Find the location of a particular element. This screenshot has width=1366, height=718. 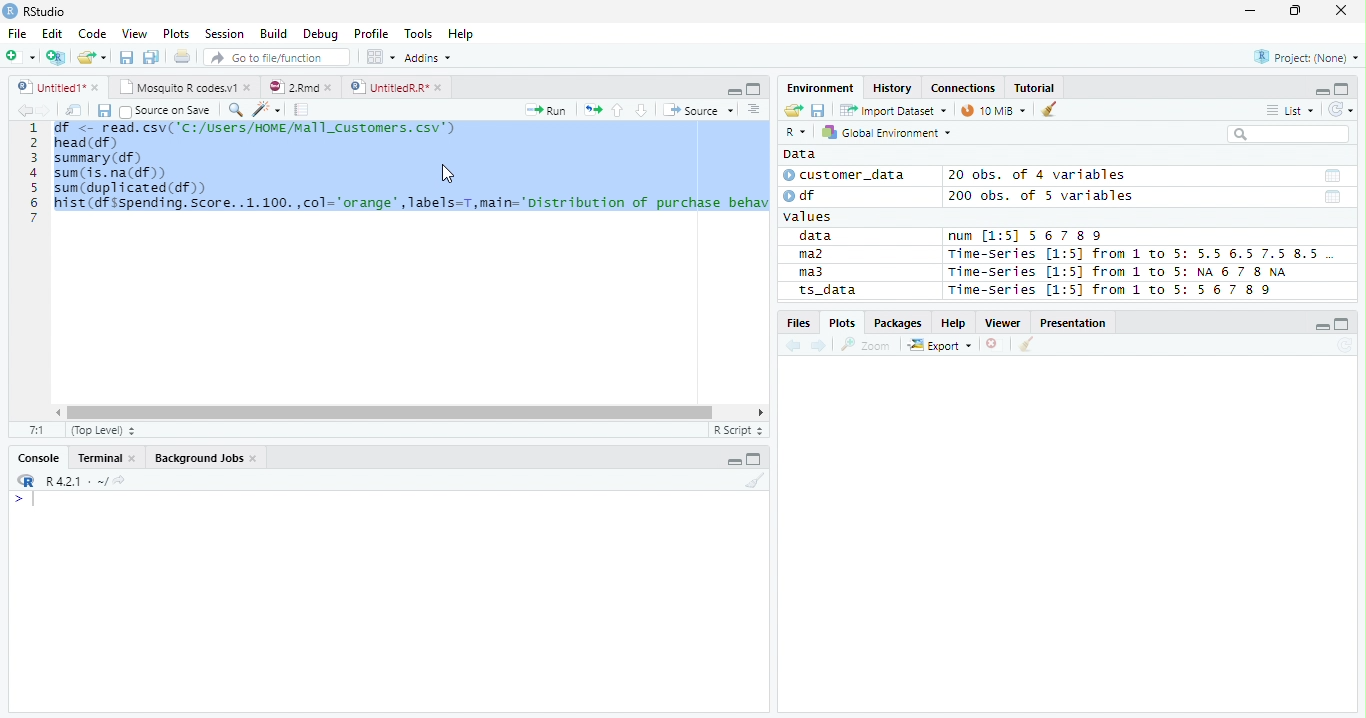

Time-Series [1:5] from 1 to 5: 5.5 6.5 7.5 8.5 is located at coordinates (1137, 255).